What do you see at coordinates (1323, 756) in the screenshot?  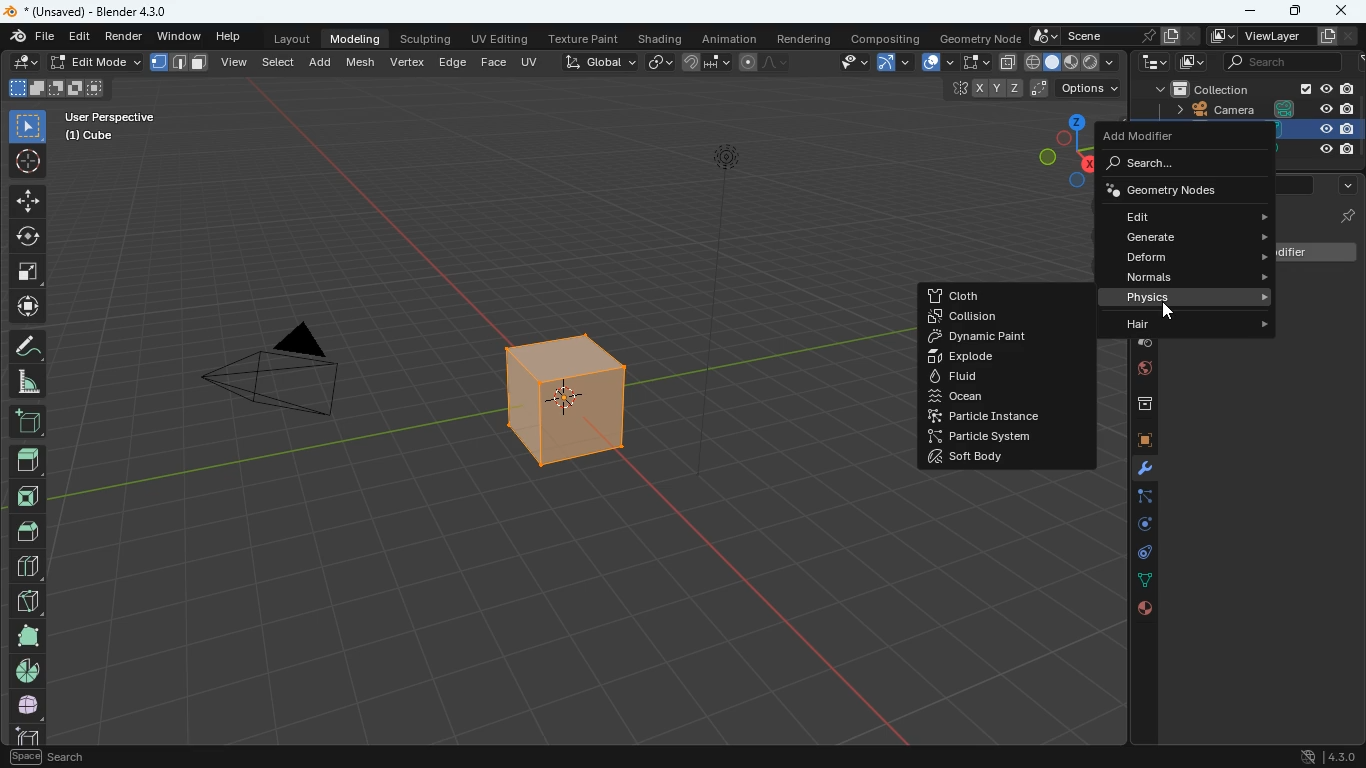 I see `4.3.0` at bounding box center [1323, 756].